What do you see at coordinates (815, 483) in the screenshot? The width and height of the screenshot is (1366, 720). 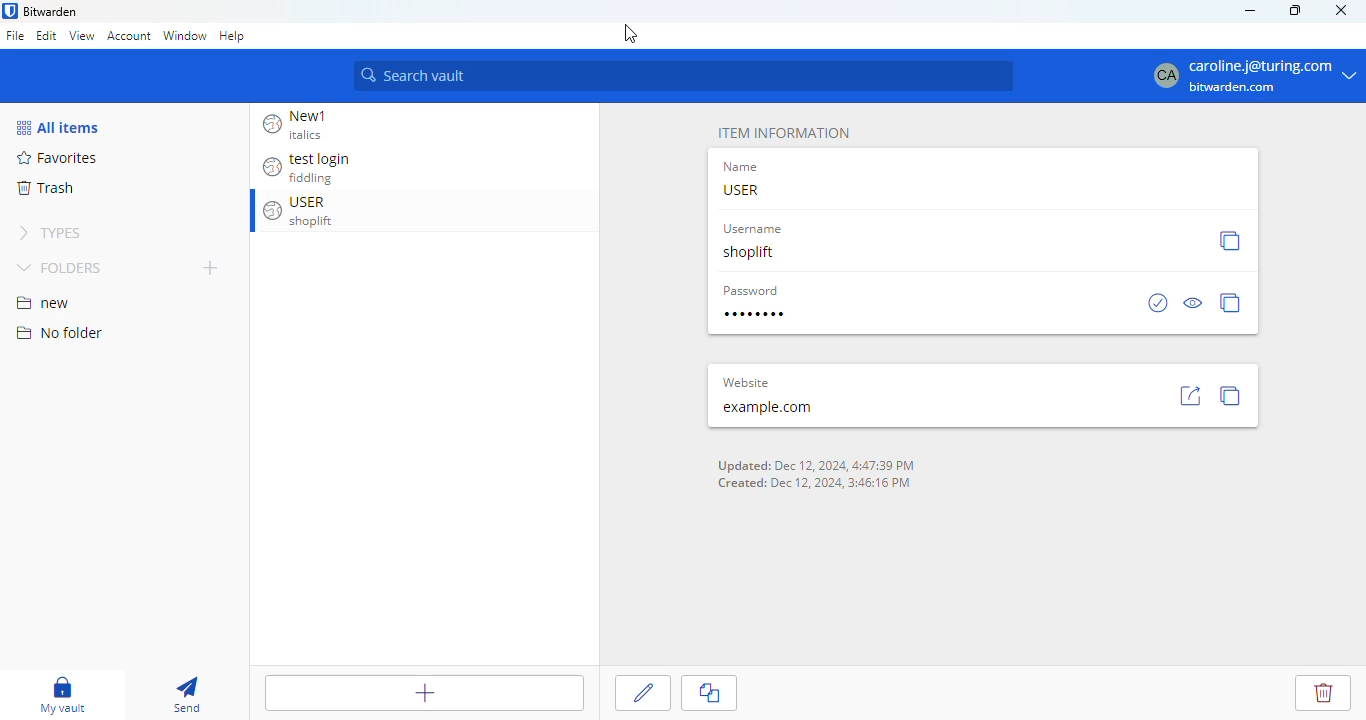 I see `Created: Dec 12, 2024, 3:46:16 PM` at bounding box center [815, 483].